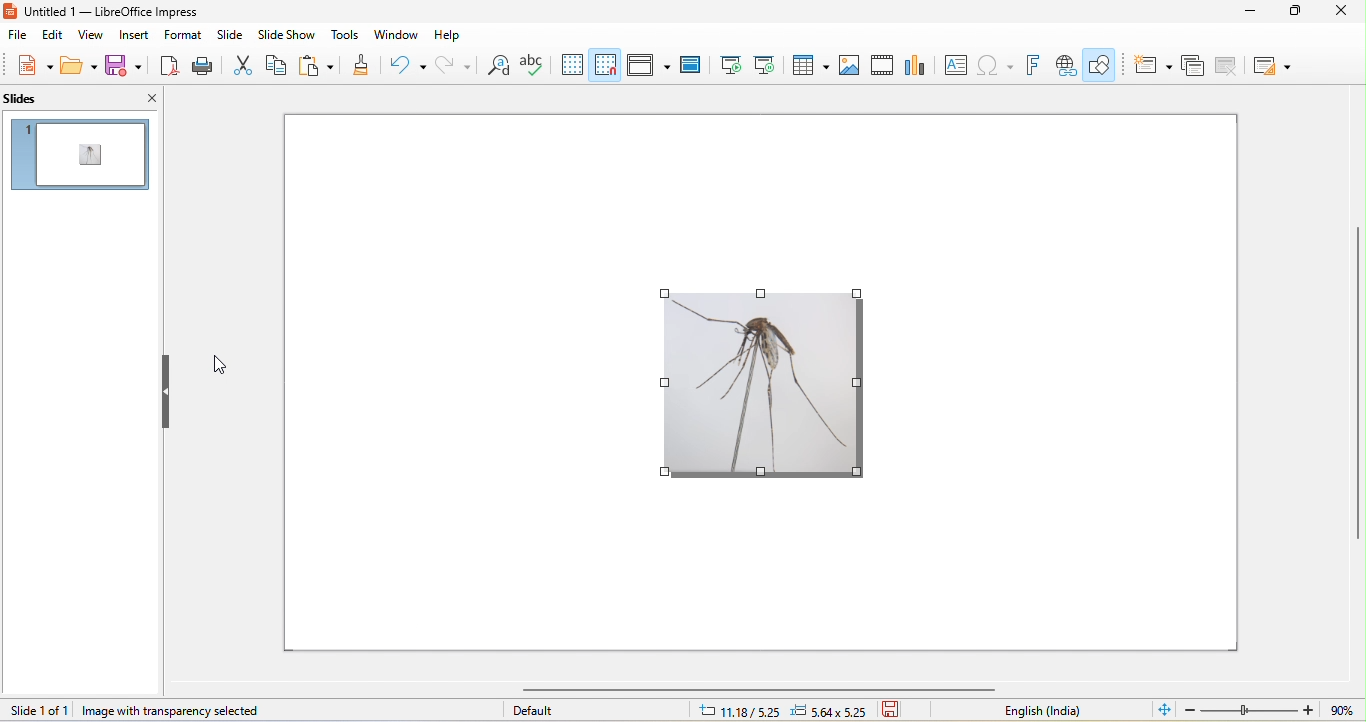  Describe the element at coordinates (406, 66) in the screenshot. I see `Refresh` at that location.